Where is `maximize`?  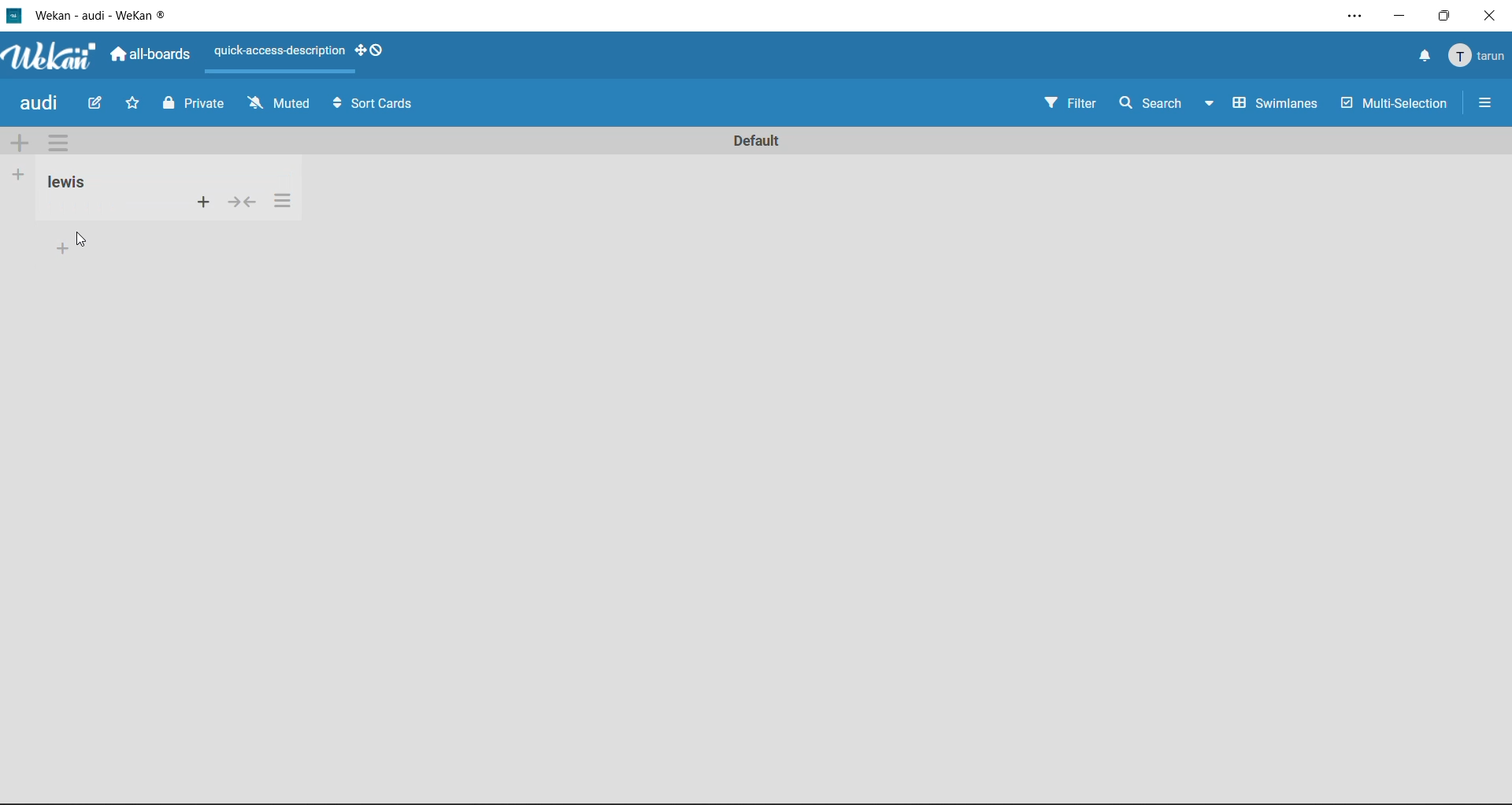
maximize is located at coordinates (1448, 17).